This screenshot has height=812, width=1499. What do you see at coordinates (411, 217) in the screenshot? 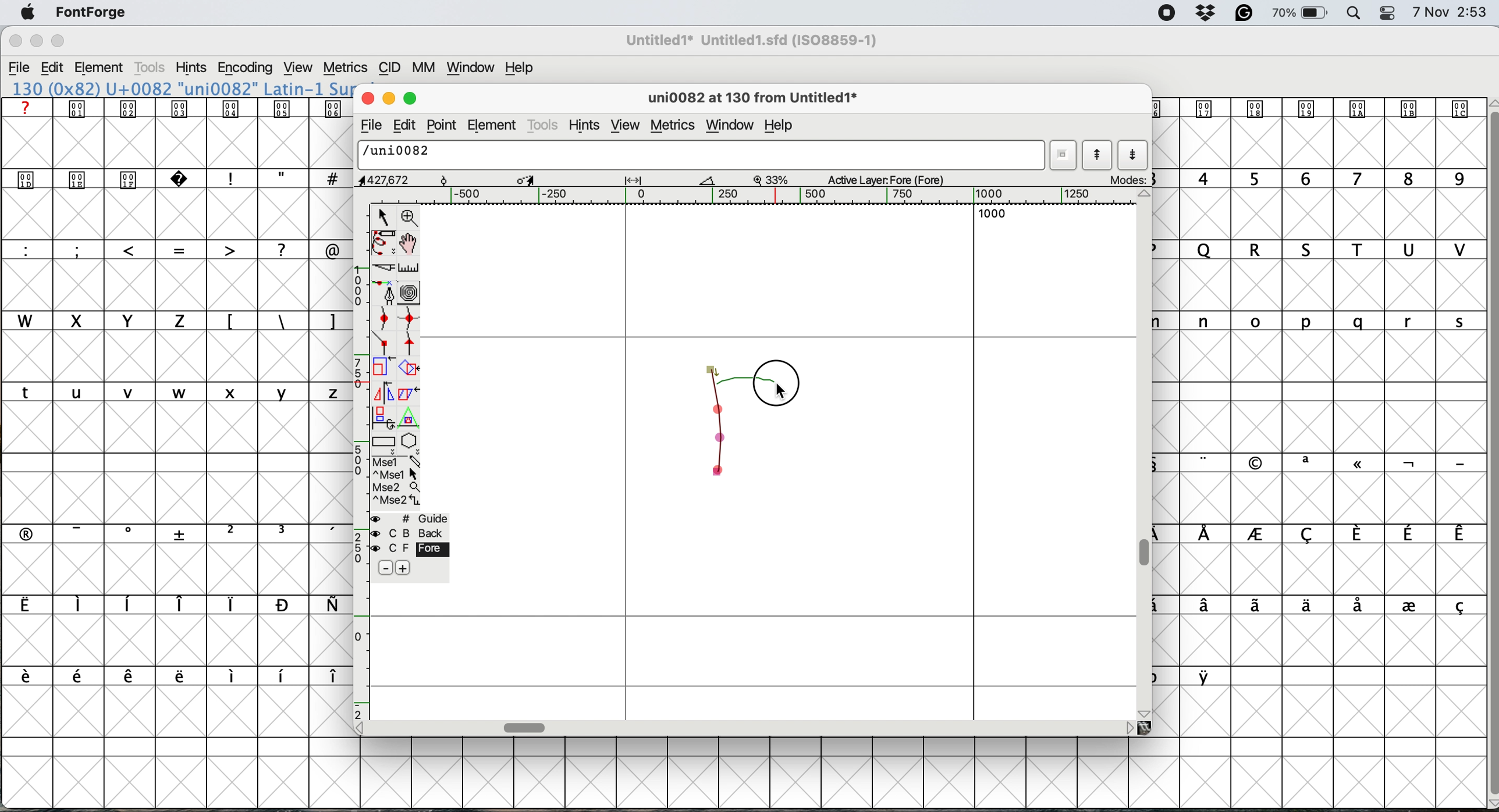
I see `zoom in` at bounding box center [411, 217].